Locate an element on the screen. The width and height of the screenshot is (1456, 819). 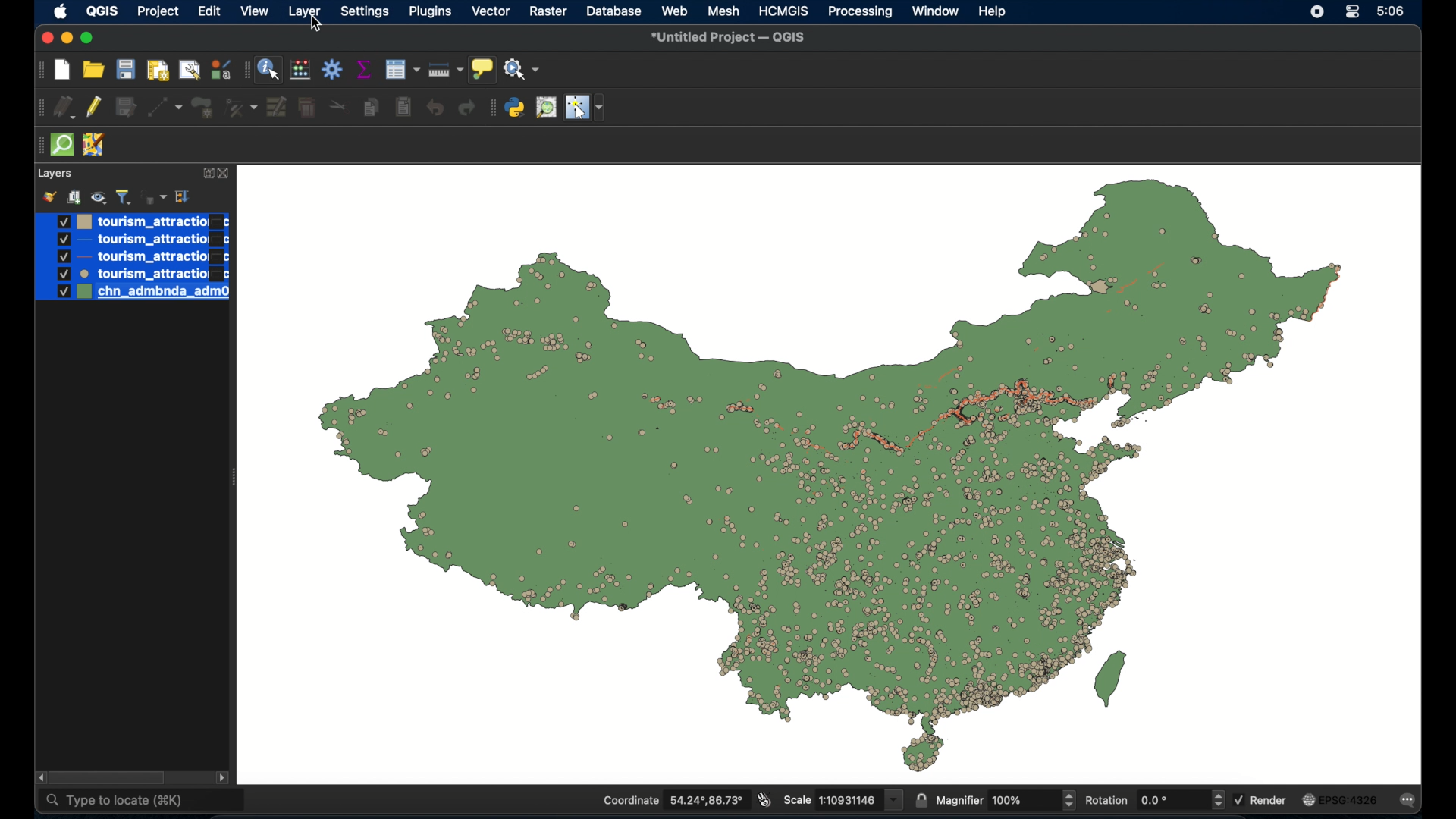
window is located at coordinates (937, 11).